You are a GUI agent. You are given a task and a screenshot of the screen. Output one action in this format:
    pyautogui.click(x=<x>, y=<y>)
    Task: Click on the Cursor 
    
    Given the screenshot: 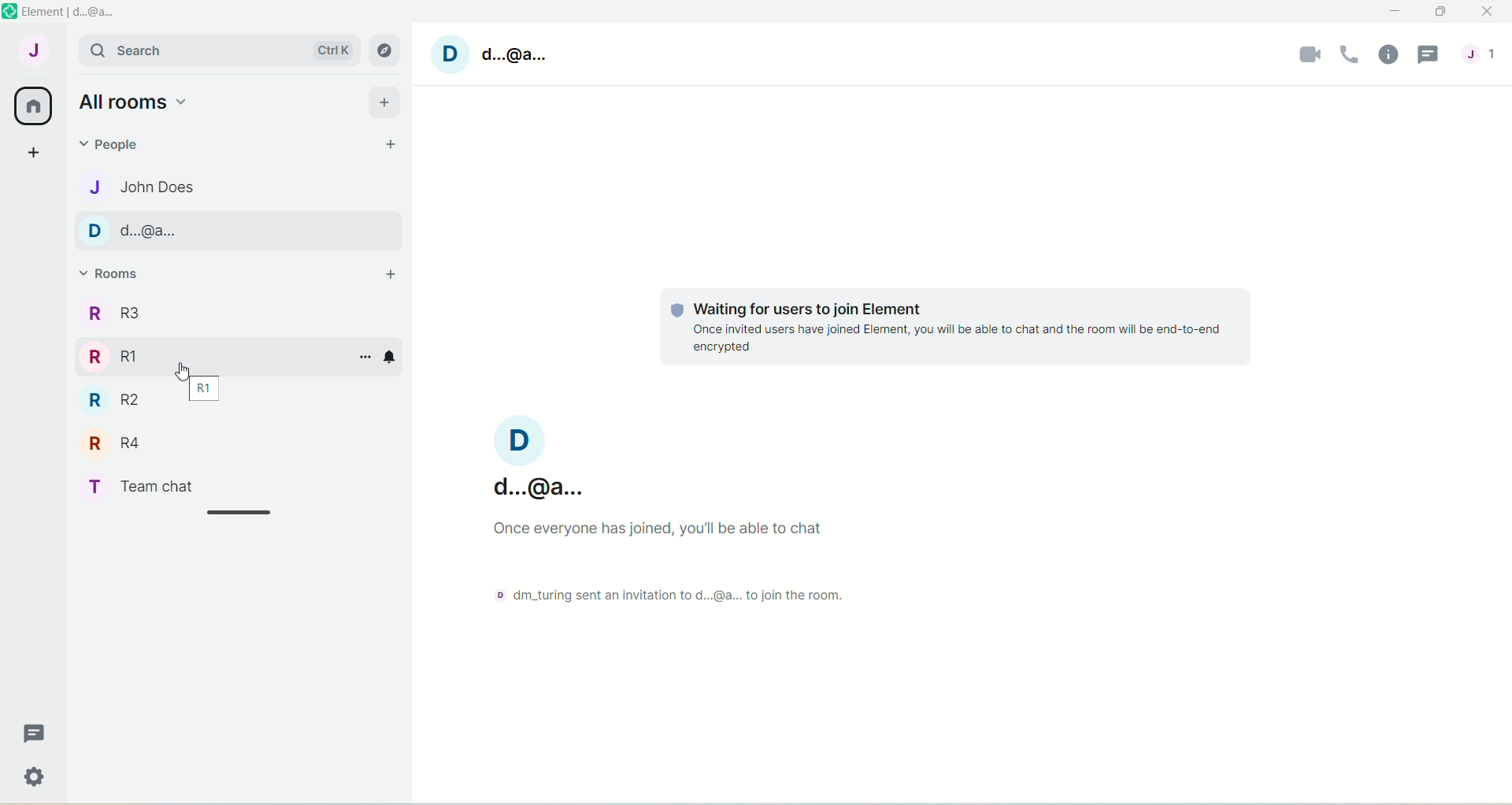 What is the action you would take?
    pyautogui.click(x=183, y=370)
    